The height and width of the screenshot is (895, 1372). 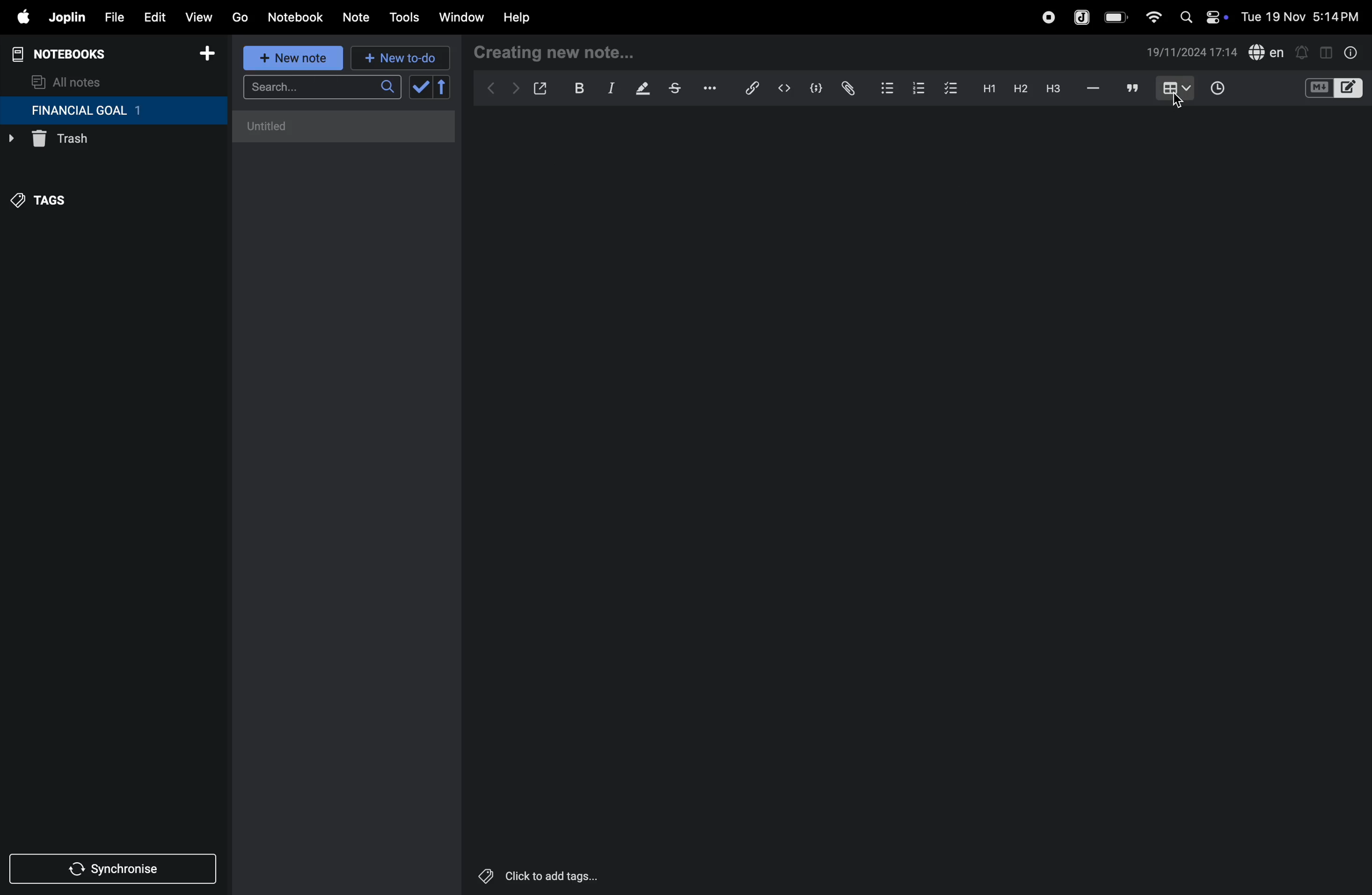 I want to click on view, so click(x=198, y=14).